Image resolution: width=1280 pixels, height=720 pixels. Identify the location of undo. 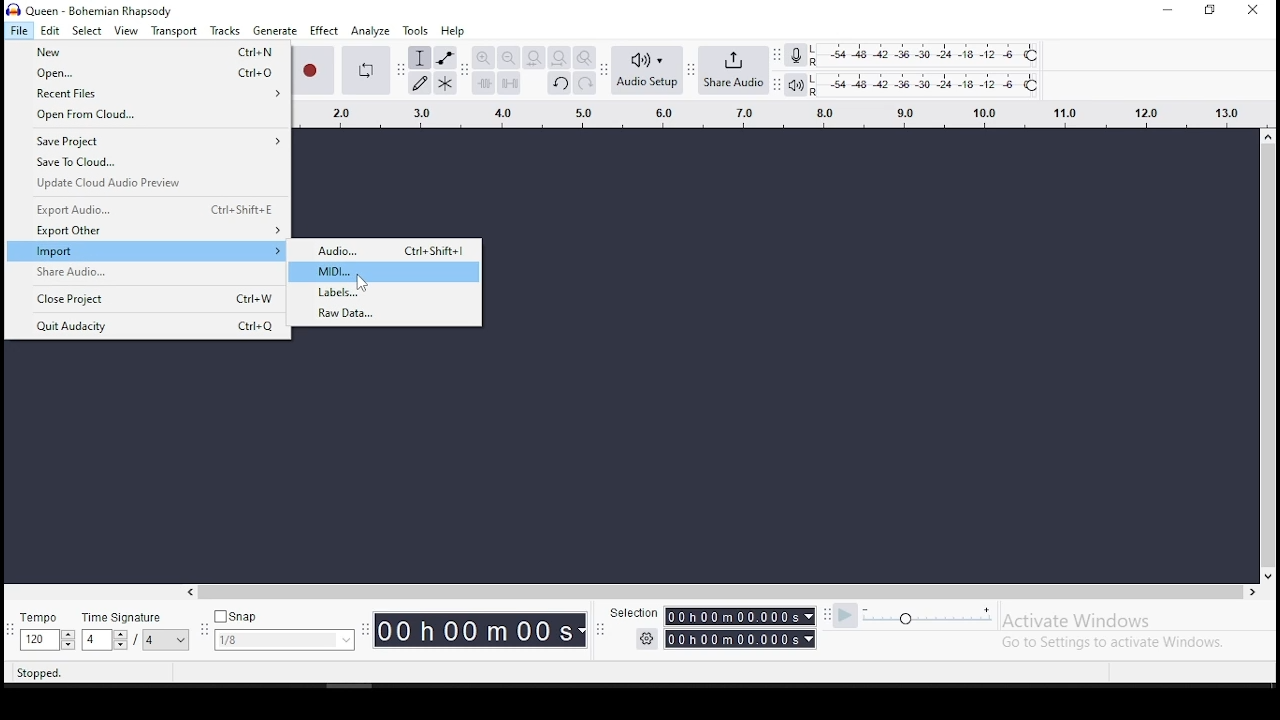
(559, 85).